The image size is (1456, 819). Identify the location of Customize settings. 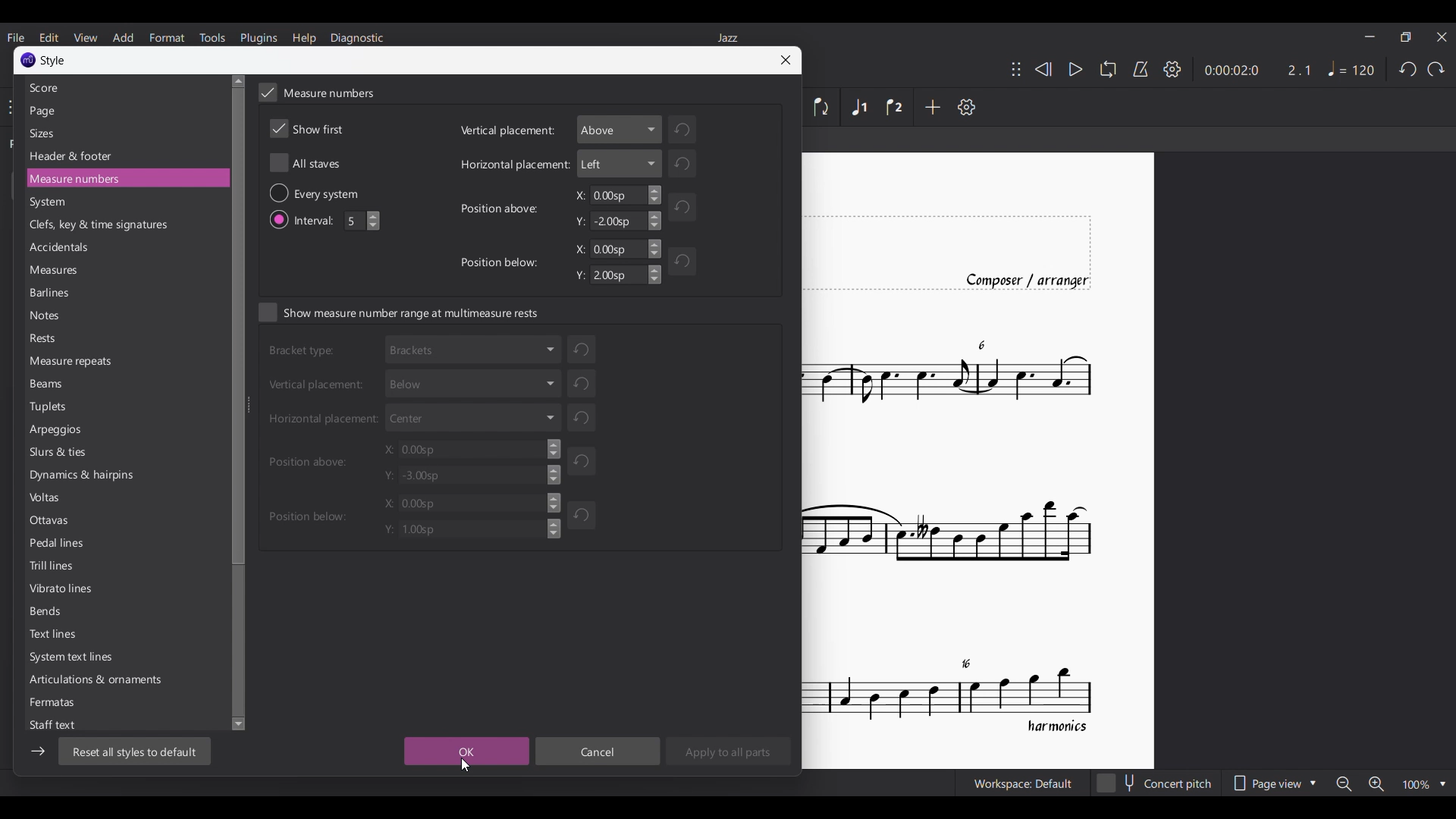
(966, 107).